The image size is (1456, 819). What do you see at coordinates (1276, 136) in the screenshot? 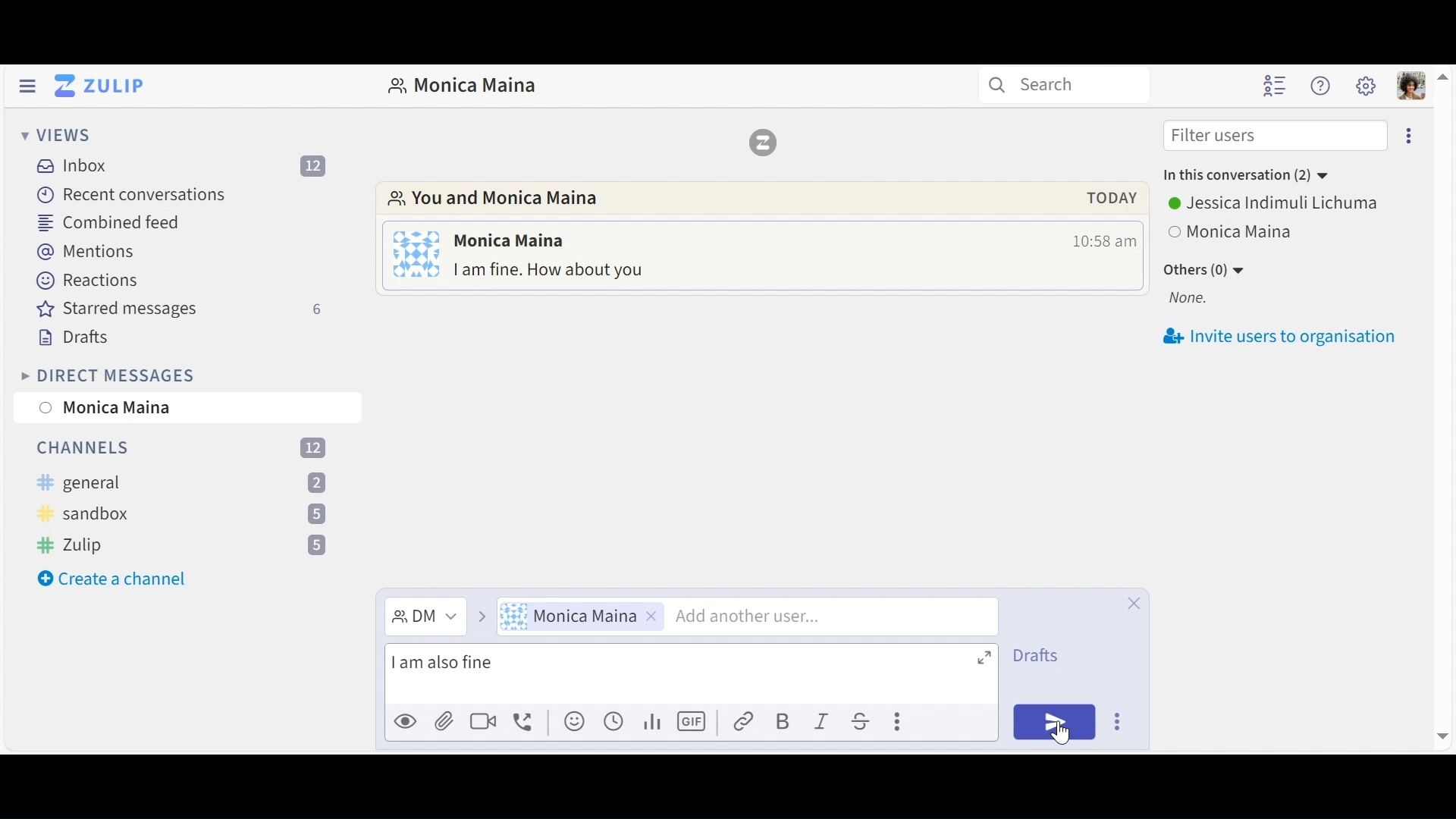
I see `Filter users` at bounding box center [1276, 136].